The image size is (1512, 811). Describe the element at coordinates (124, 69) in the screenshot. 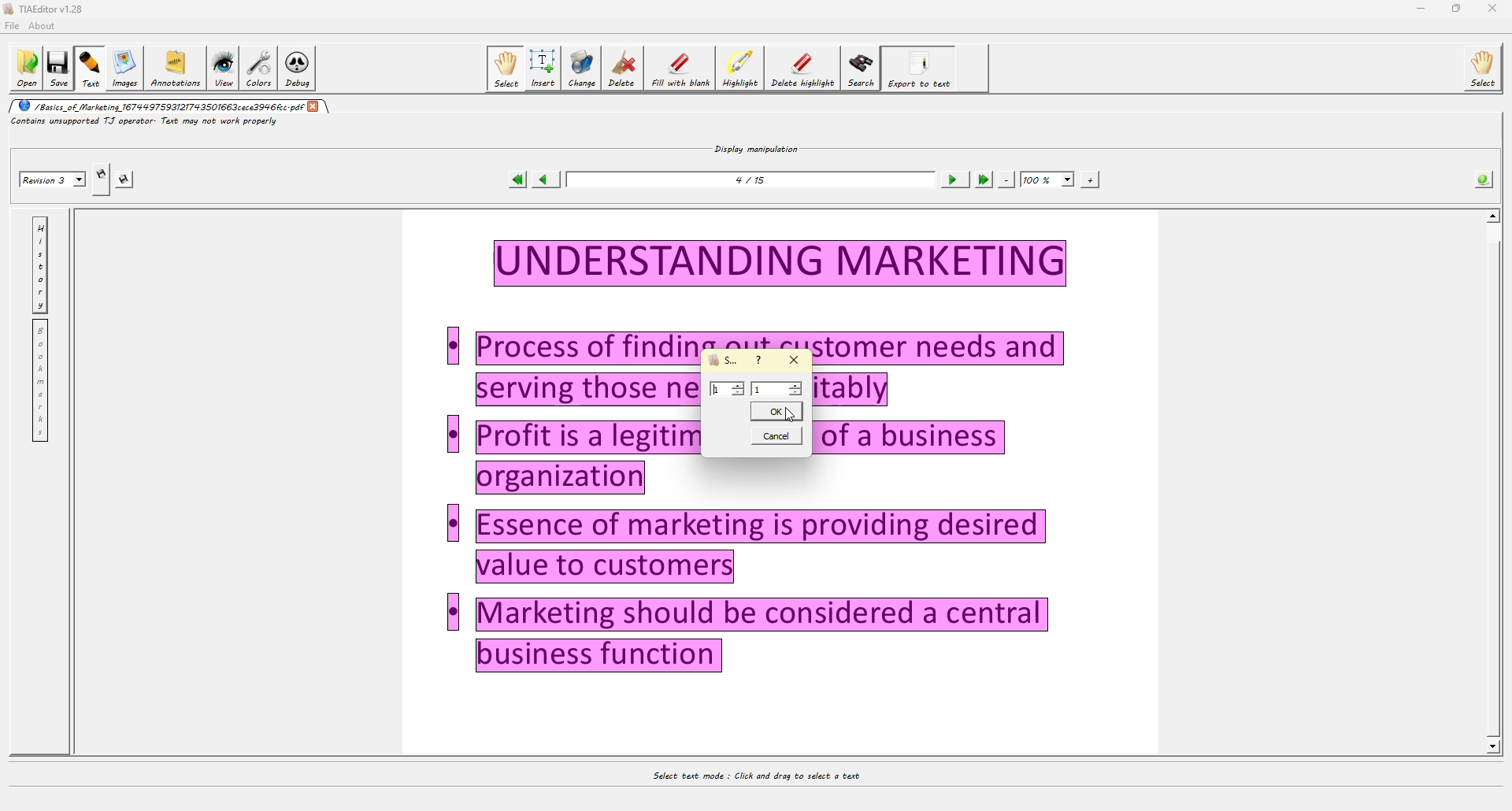

I see `images` at that location.